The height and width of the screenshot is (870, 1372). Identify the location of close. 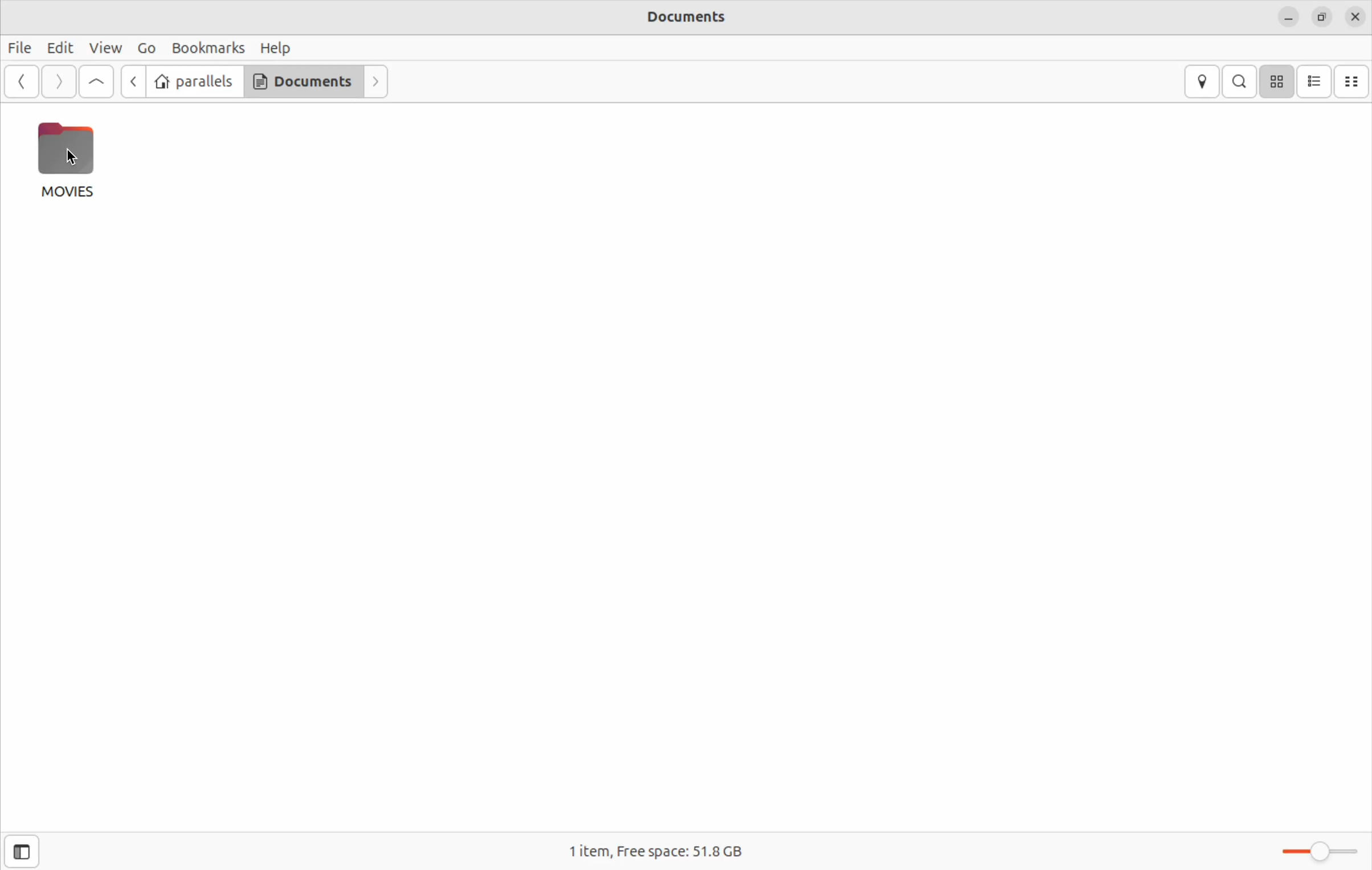
(1352, 17).